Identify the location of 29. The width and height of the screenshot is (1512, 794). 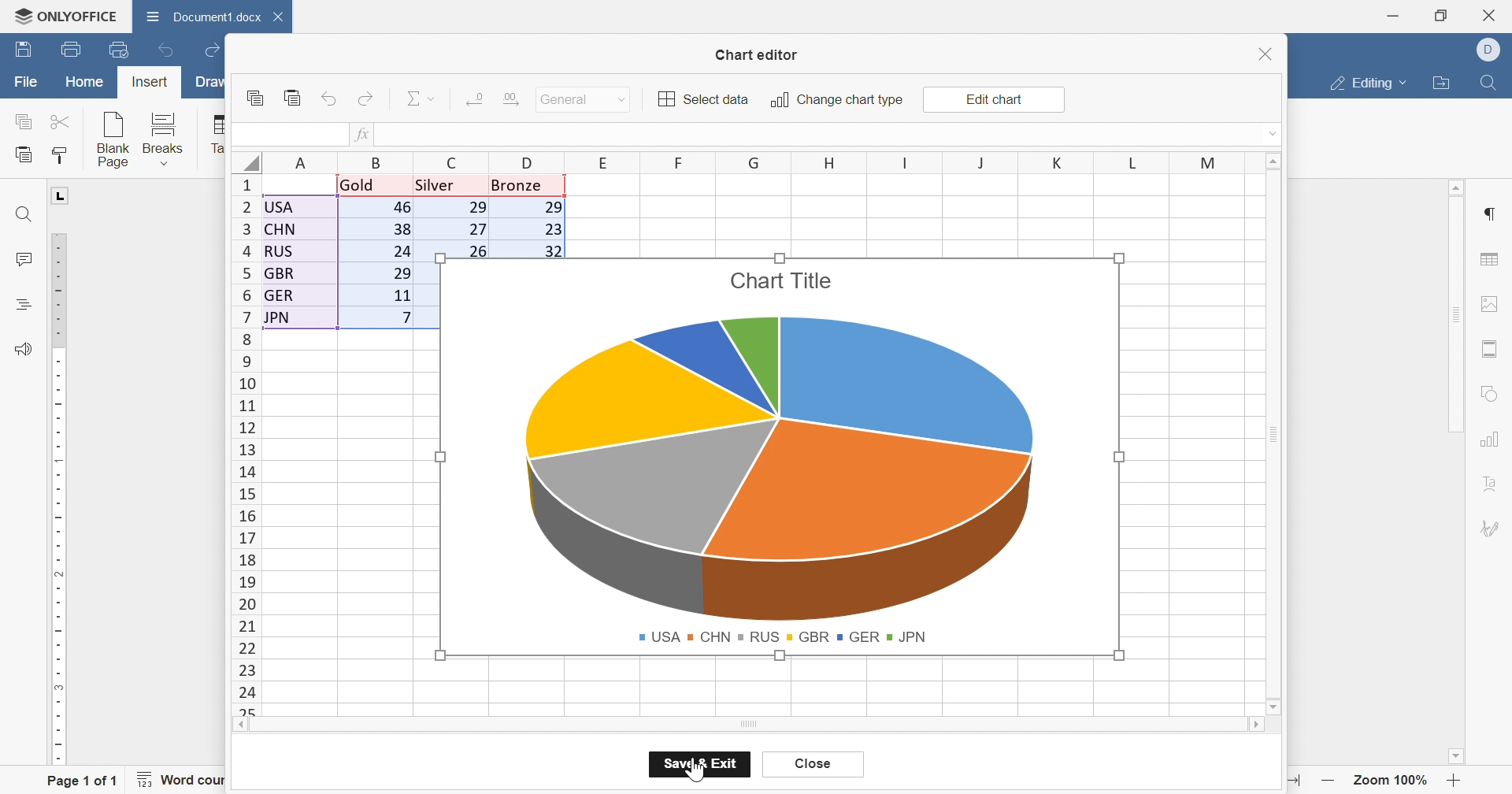
(550, 206).